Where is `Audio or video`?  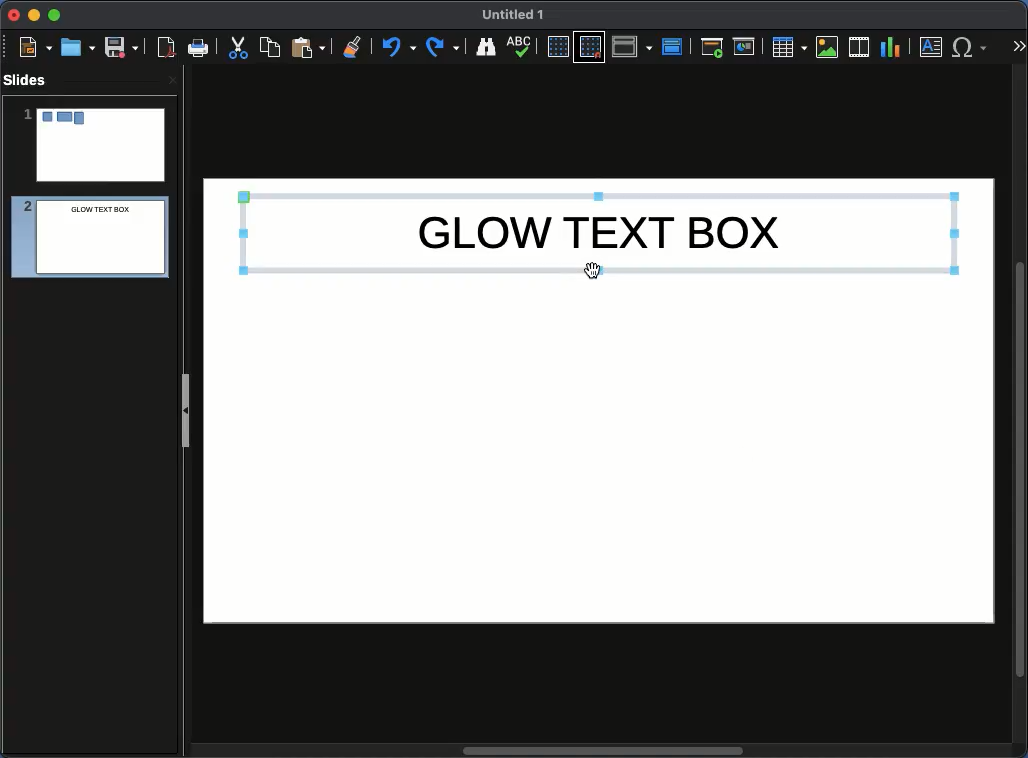
Audio or video is located at coordinates (860, 47).